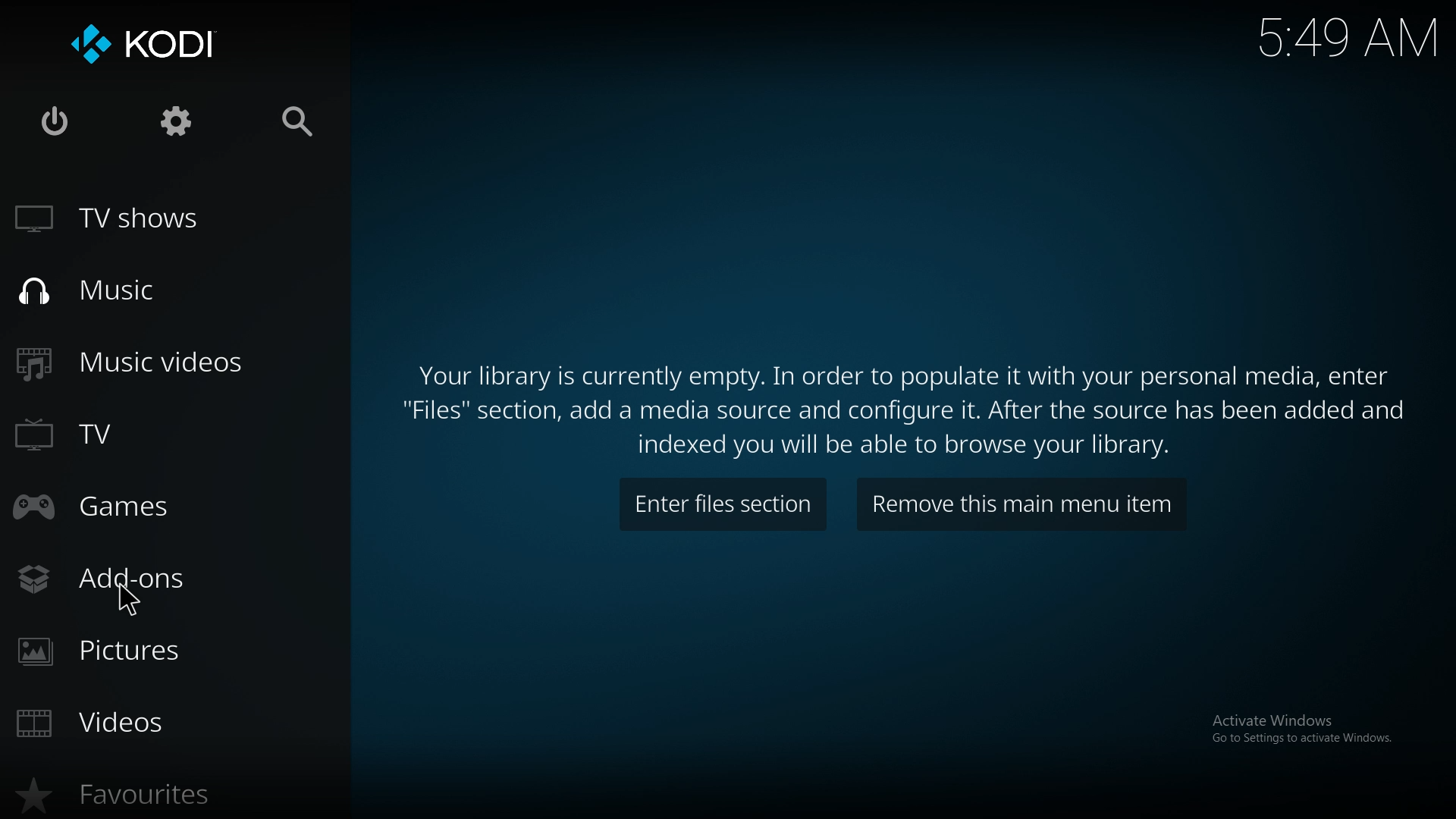 This screenshot has height=819, width=1456. What do you see at coordinates (147, 45) in the screenshot?
I see `kodi` at bounding box center [147, 45].